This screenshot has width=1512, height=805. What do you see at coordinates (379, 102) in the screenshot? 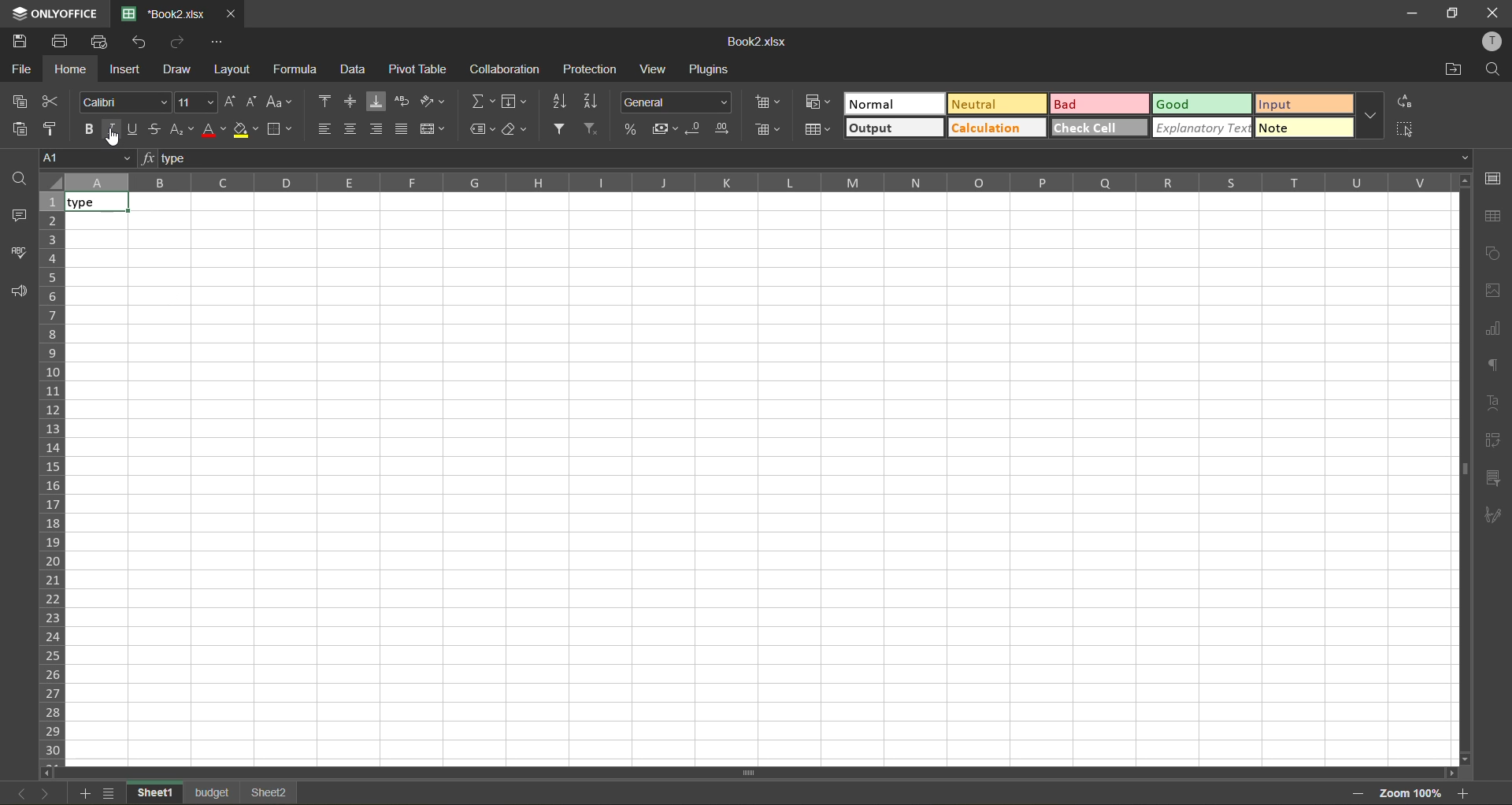
I see `align bottom` at bounding box center [379, 102].